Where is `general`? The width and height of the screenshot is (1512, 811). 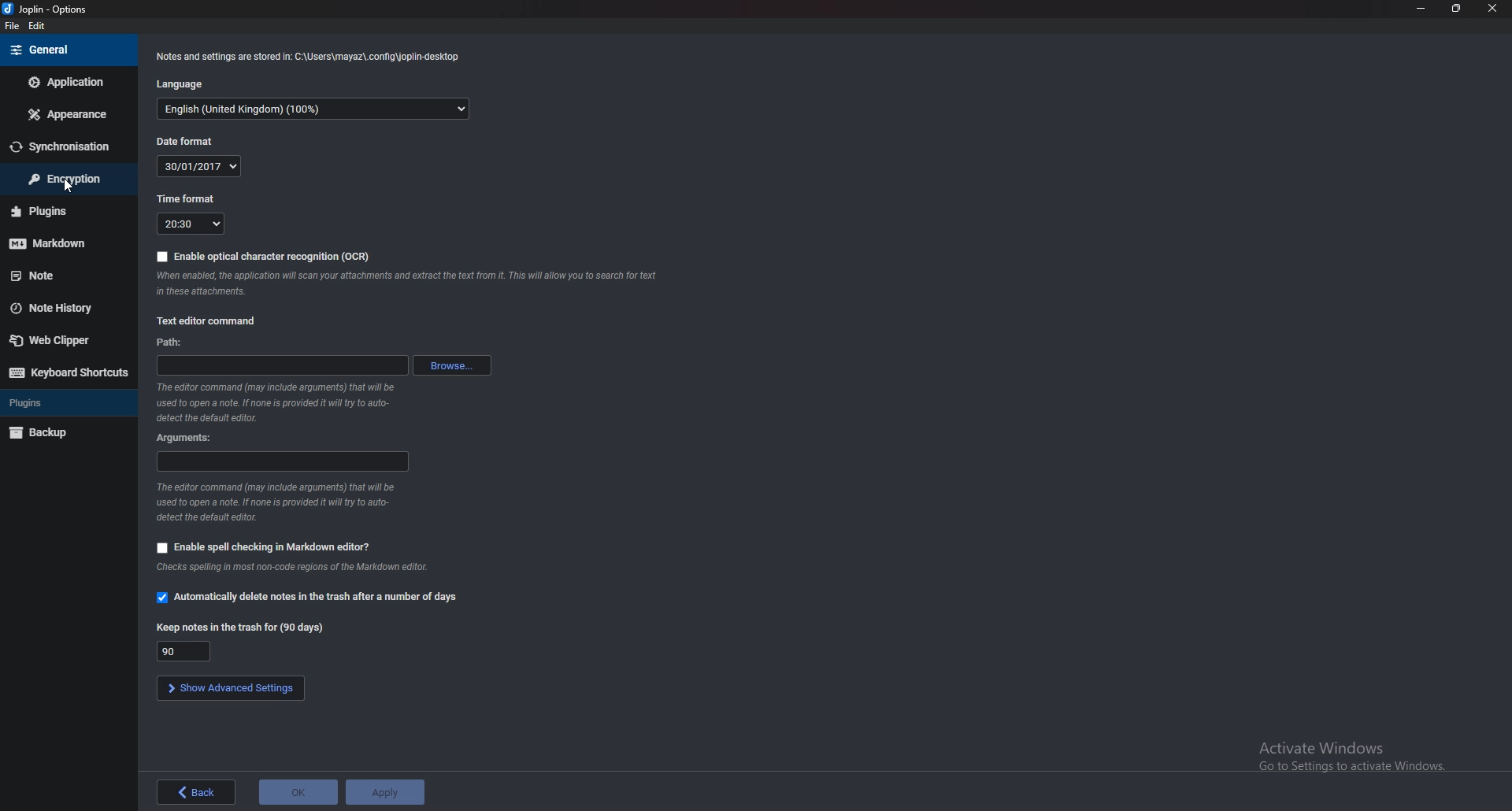
general is located at coordinates (66, 50).